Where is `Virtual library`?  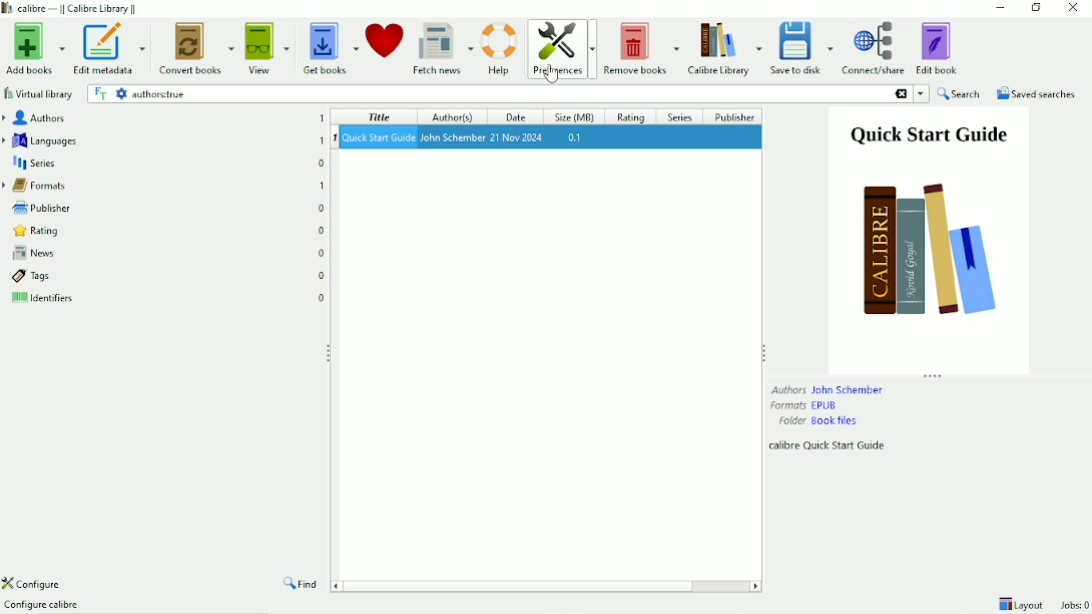
Virtual library is located at coordinates (39, 93).